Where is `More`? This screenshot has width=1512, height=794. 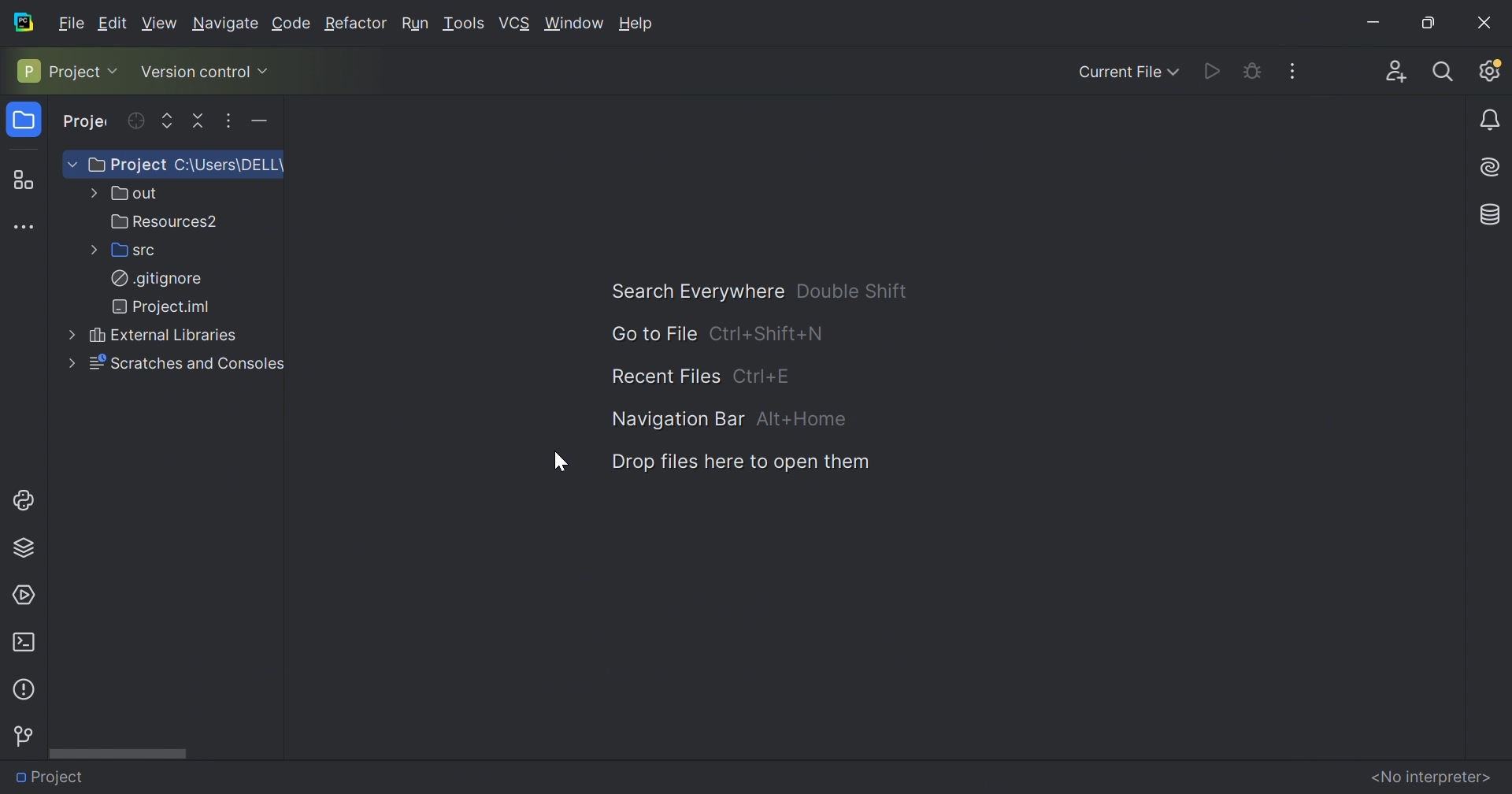 More is located at coordinates (67, 364).